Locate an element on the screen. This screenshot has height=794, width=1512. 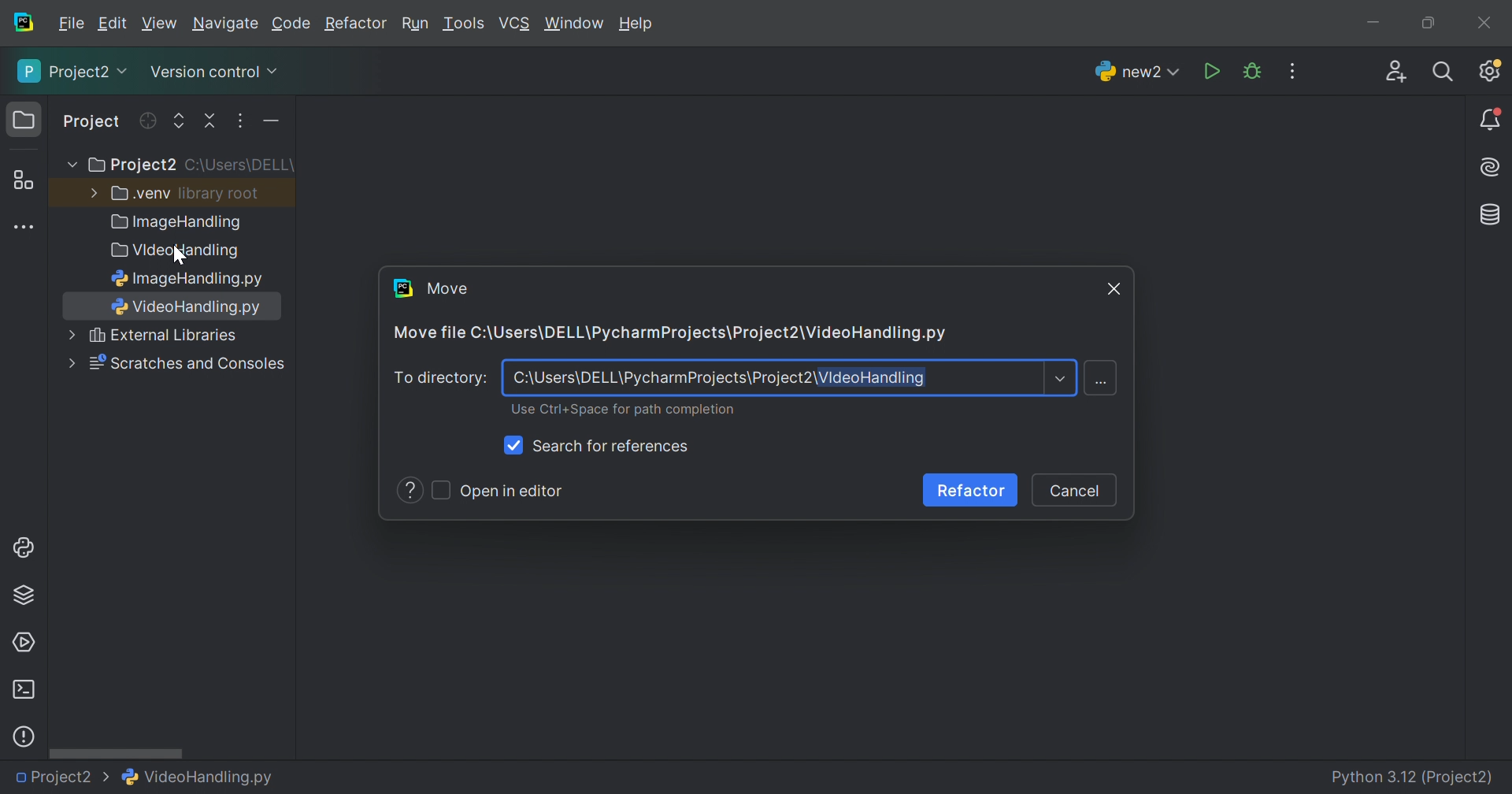
more is located at coordinates (69, 364).